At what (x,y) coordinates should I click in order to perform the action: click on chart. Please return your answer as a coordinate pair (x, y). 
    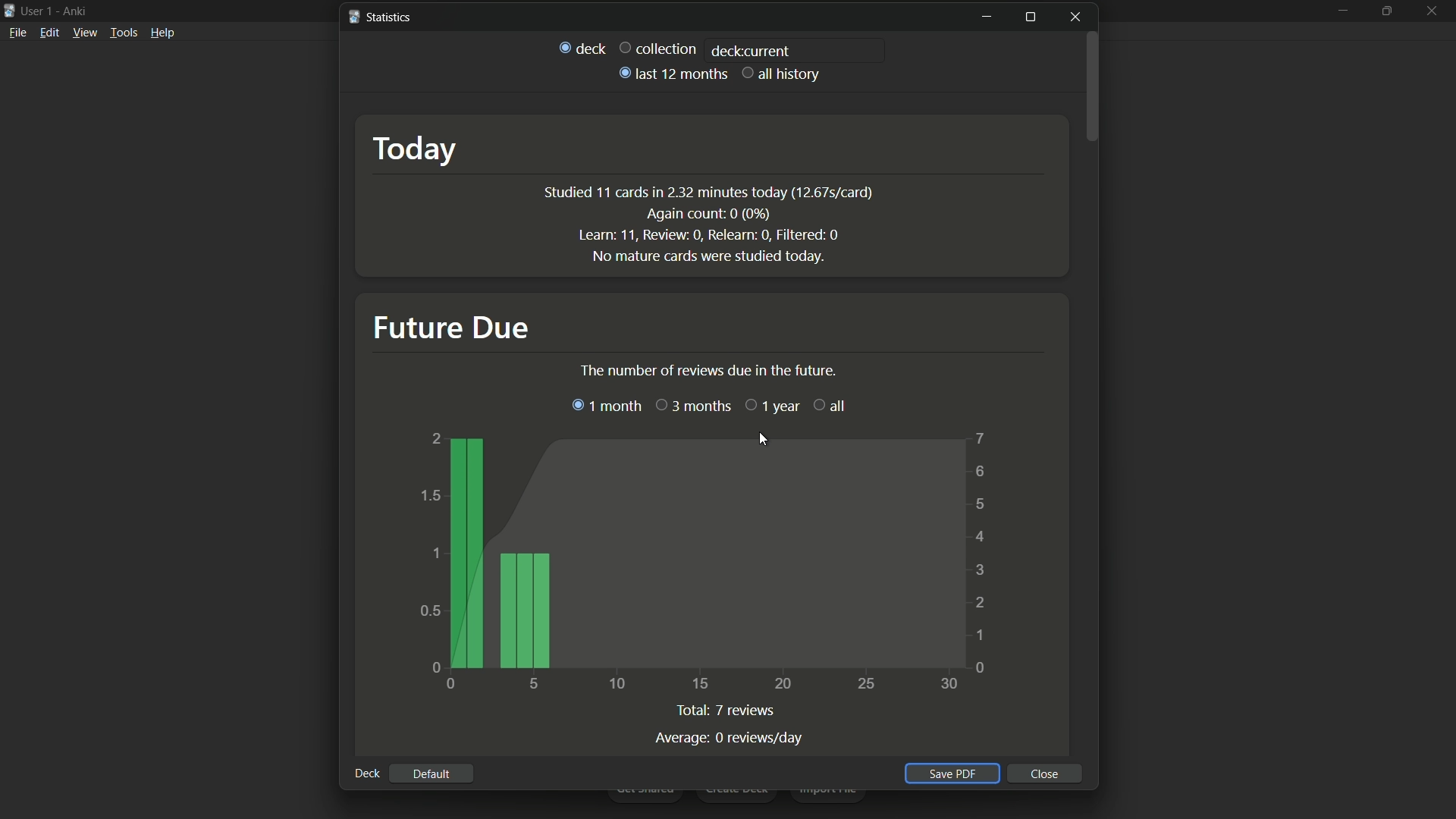
    Looking at the image, I should click on (708, 559).